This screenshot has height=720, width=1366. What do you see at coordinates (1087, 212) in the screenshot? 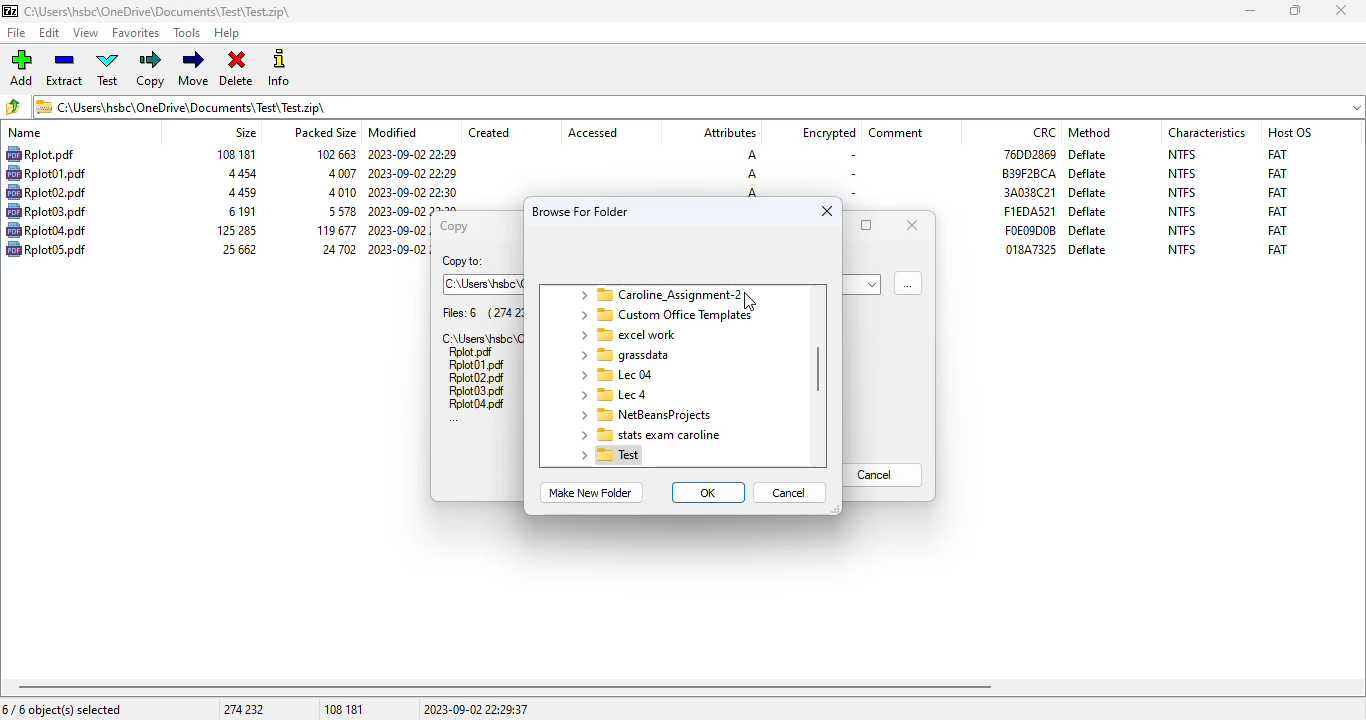
I see `deflate` at bounding box center [1087, 212].